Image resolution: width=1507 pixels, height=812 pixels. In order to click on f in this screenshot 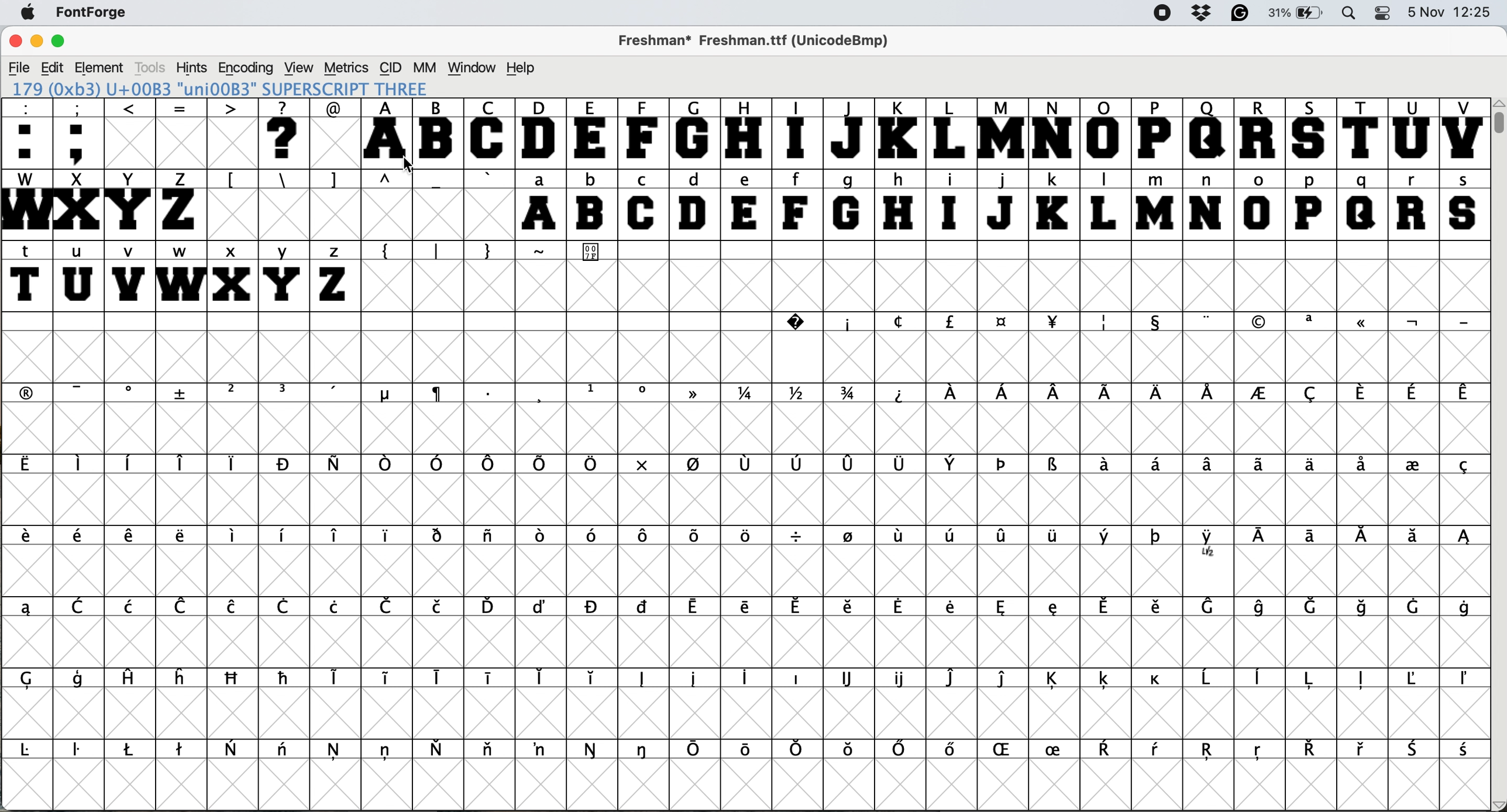, I will do `click(796, 205)`.